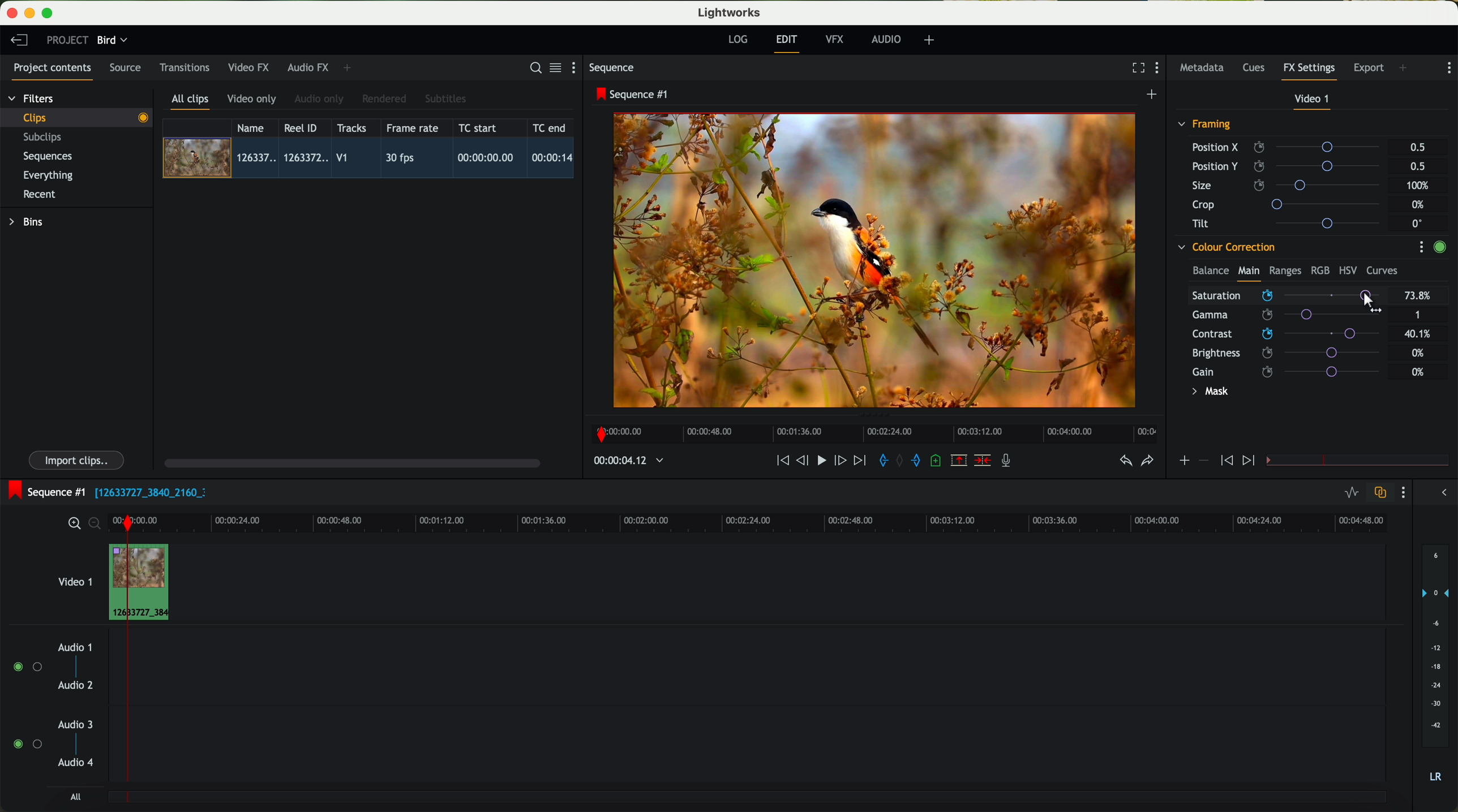 This screenshot has height=812, width=1458. Describe the element at coordinates (76, 763) in the screenshot. I see `audio 4` at that location.